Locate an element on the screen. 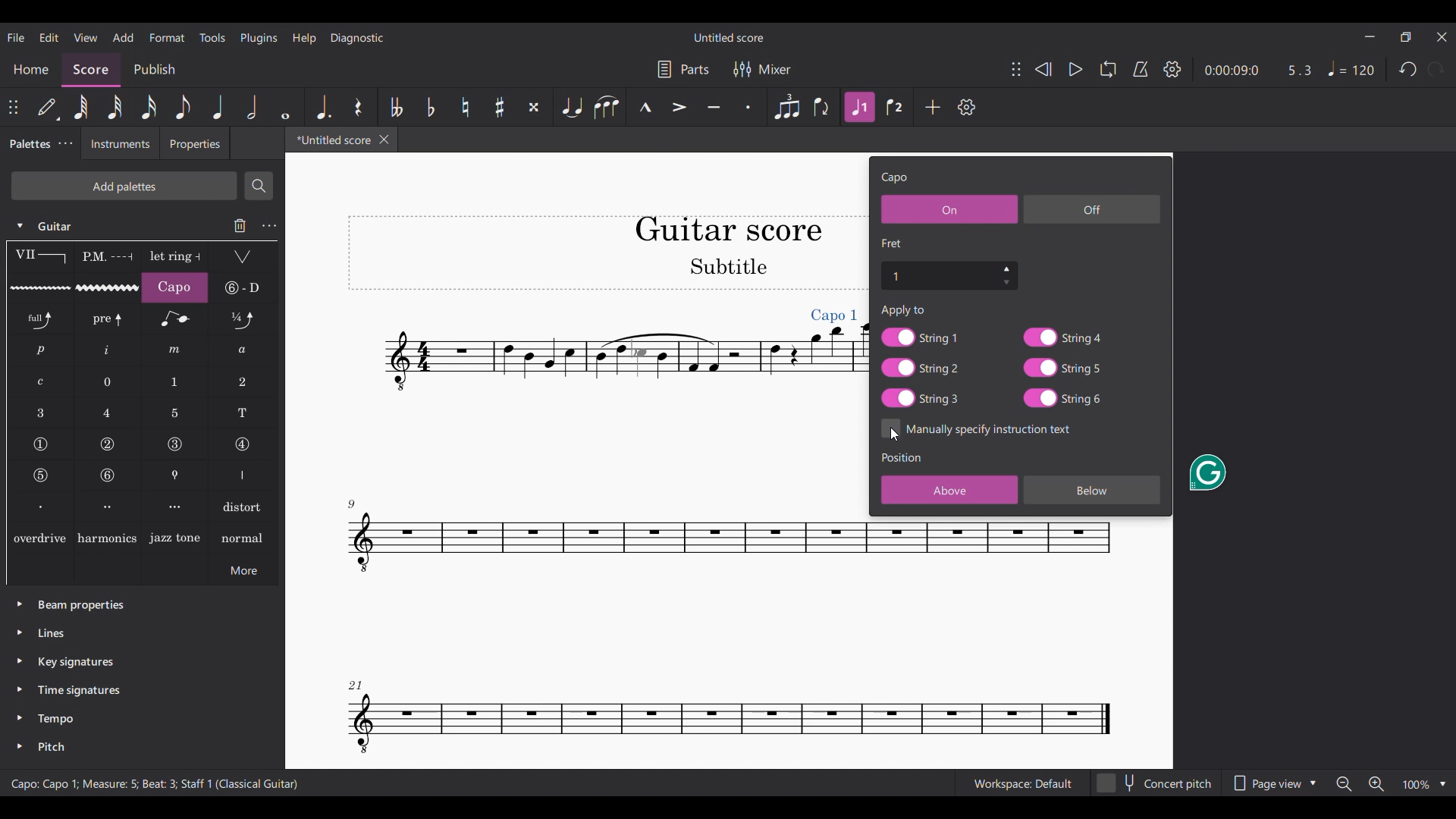  Redo is located at coordinates (1436, 69).